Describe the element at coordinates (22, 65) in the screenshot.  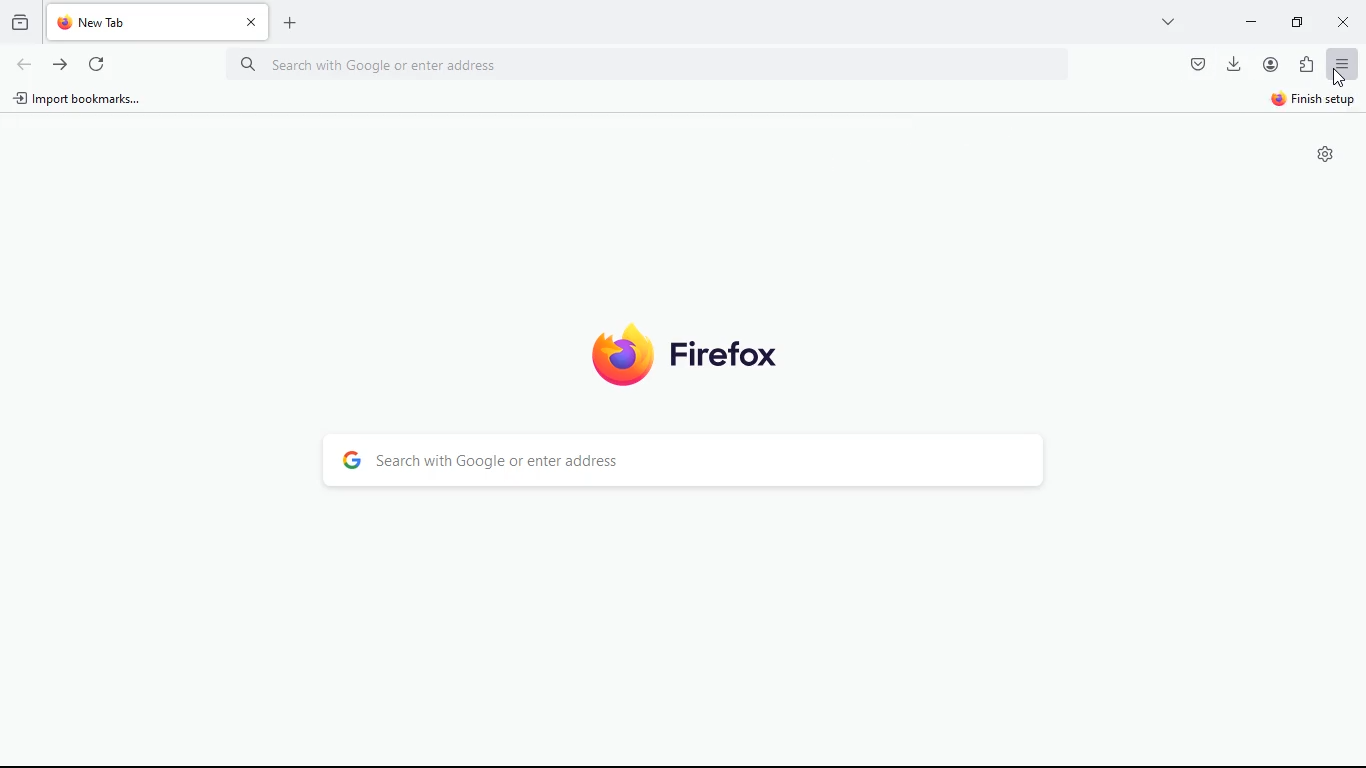
I see `back` at that location.